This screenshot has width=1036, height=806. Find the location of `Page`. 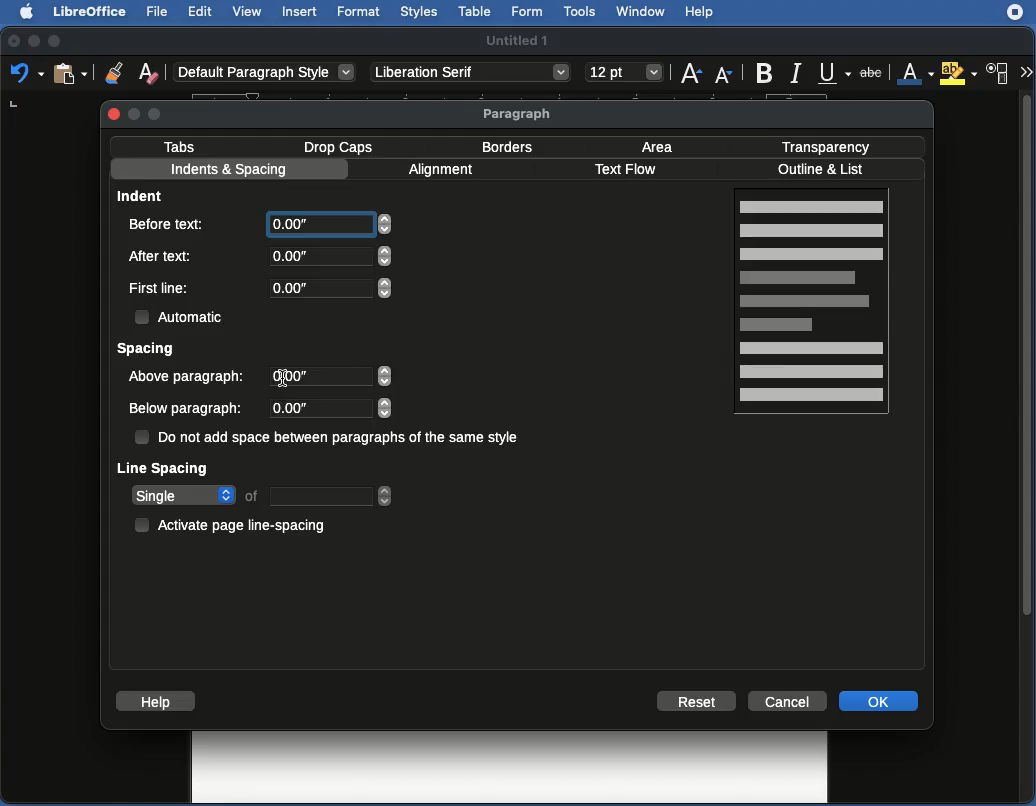

Page is located at coordinates (814, 304).